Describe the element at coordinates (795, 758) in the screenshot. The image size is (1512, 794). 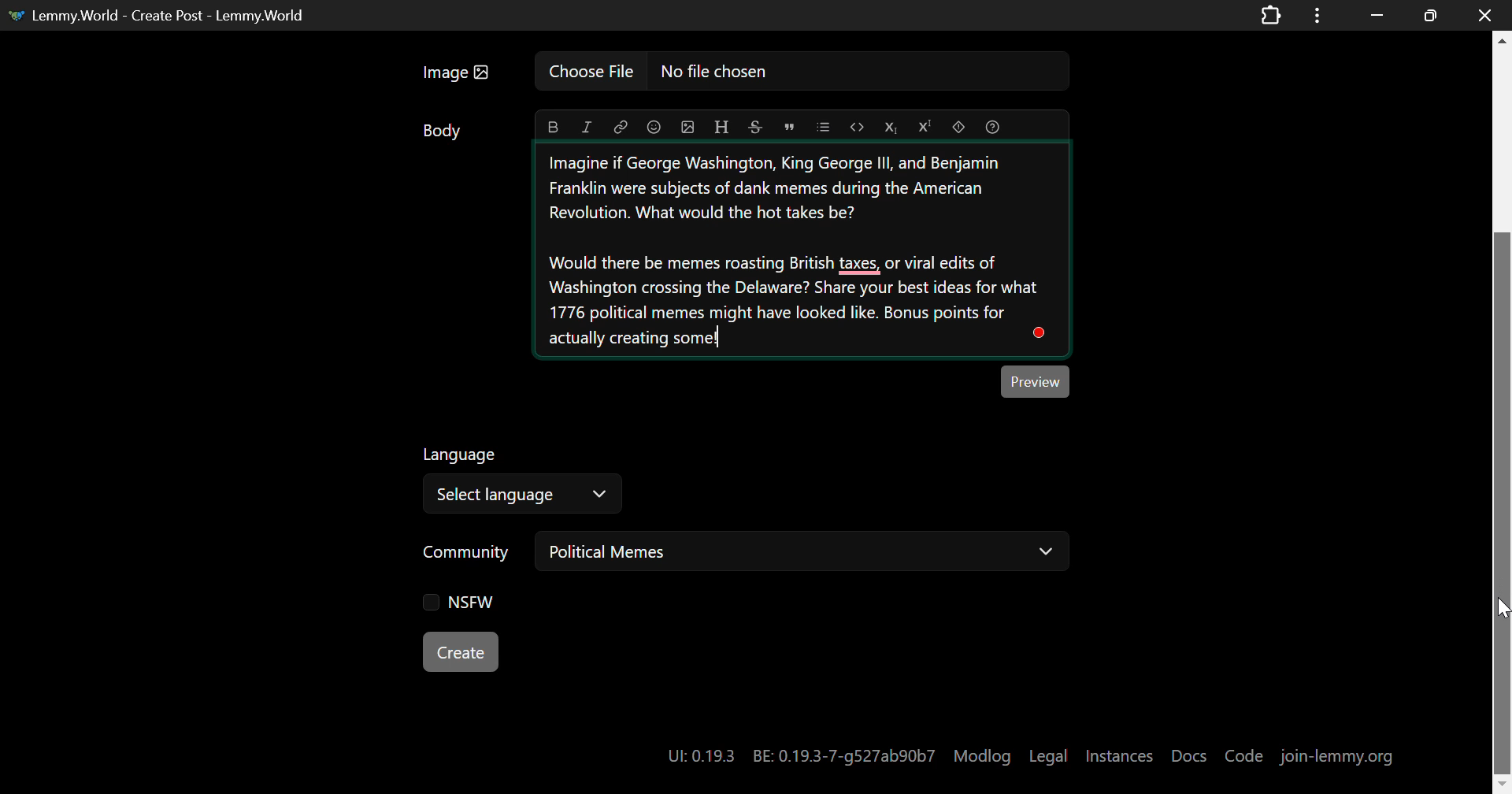
I see `UI:: 0.19.3 BE: 0.19.3-7-g527ab90b7` at that location.